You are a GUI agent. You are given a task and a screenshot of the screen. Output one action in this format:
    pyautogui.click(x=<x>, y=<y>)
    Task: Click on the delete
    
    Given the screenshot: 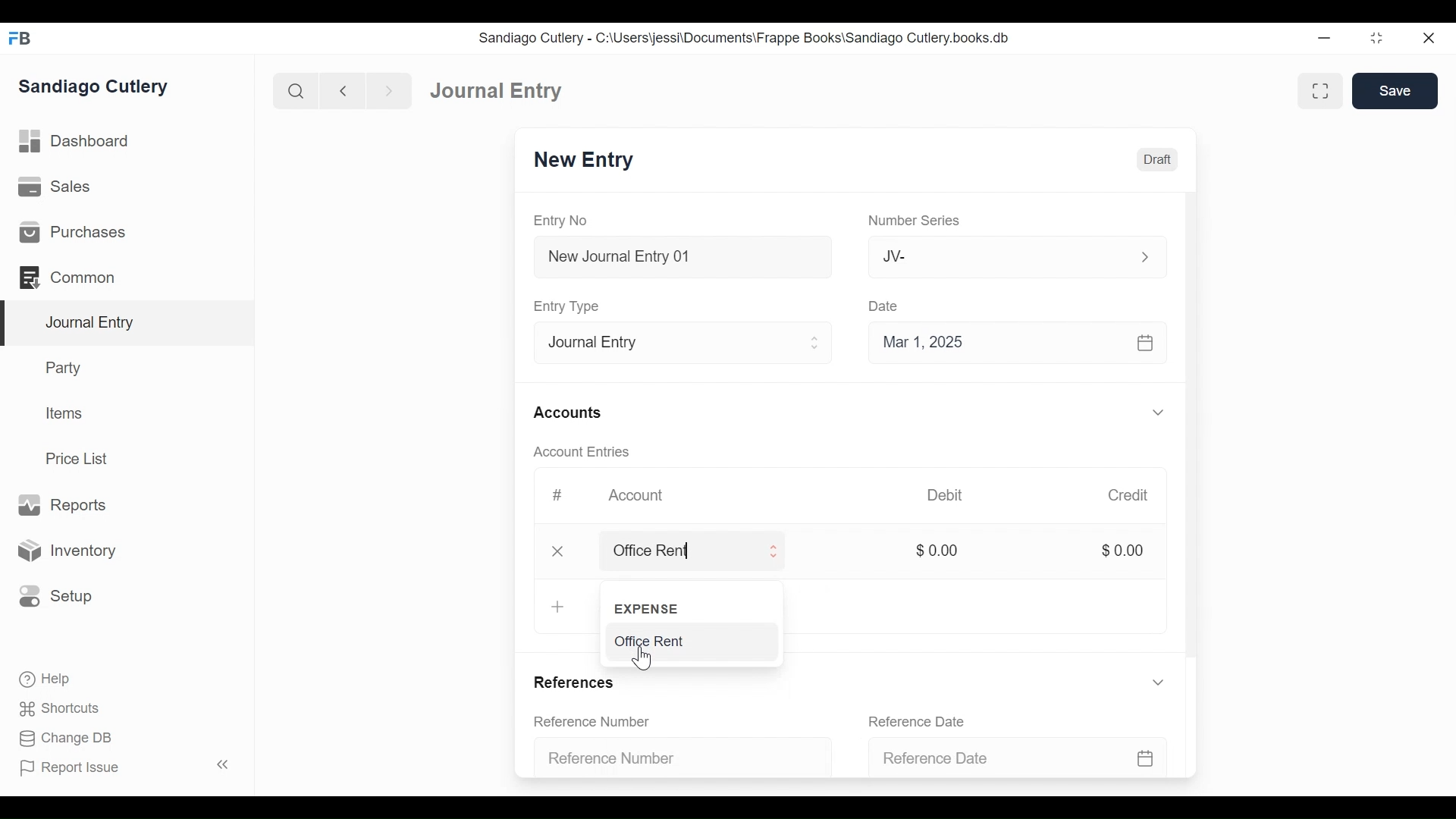 What is the action you would take?
    pyautogui.click(x=554, y=551)
    